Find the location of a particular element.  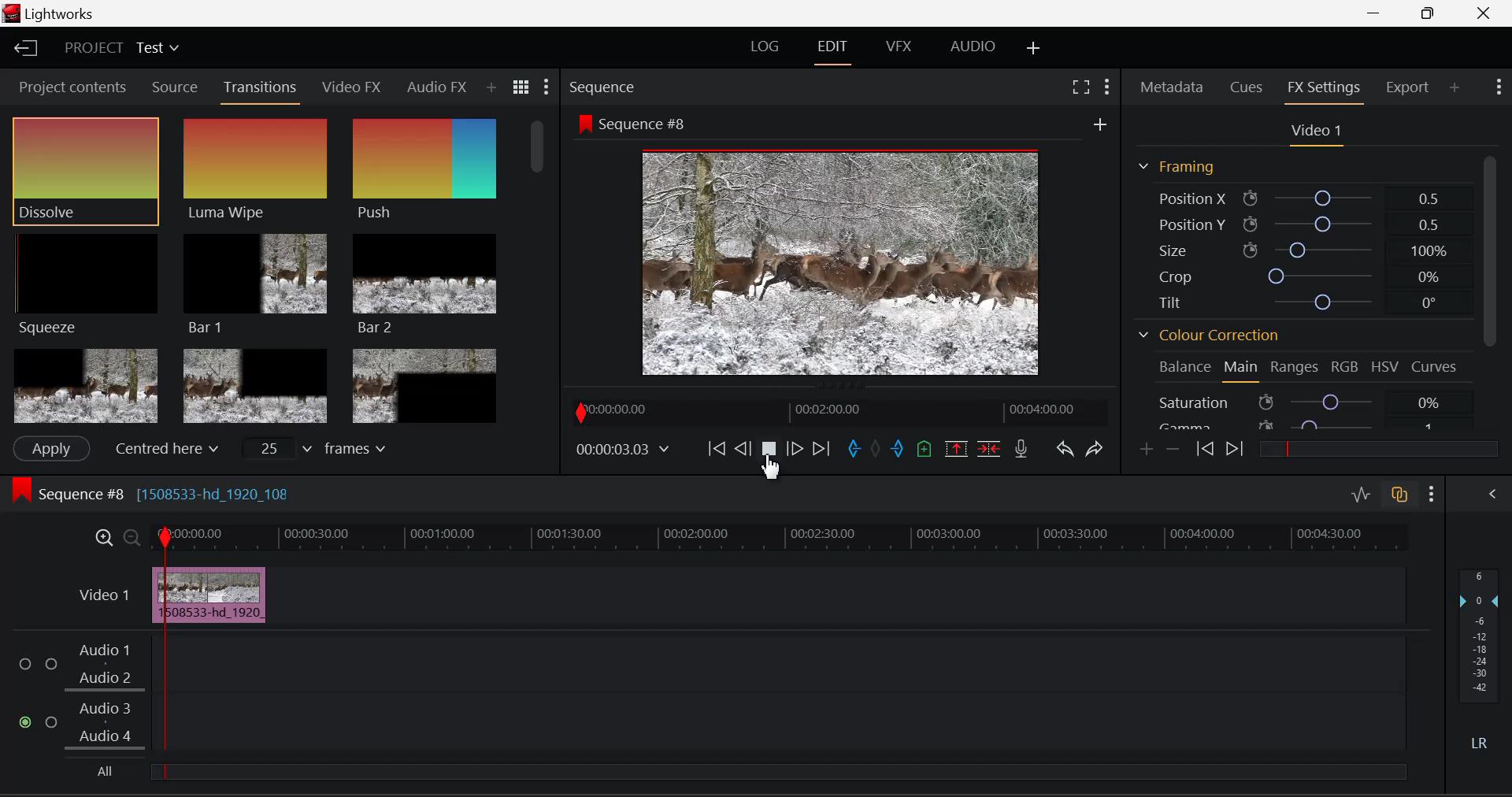

HSV is located at coordinates (1384, 369).